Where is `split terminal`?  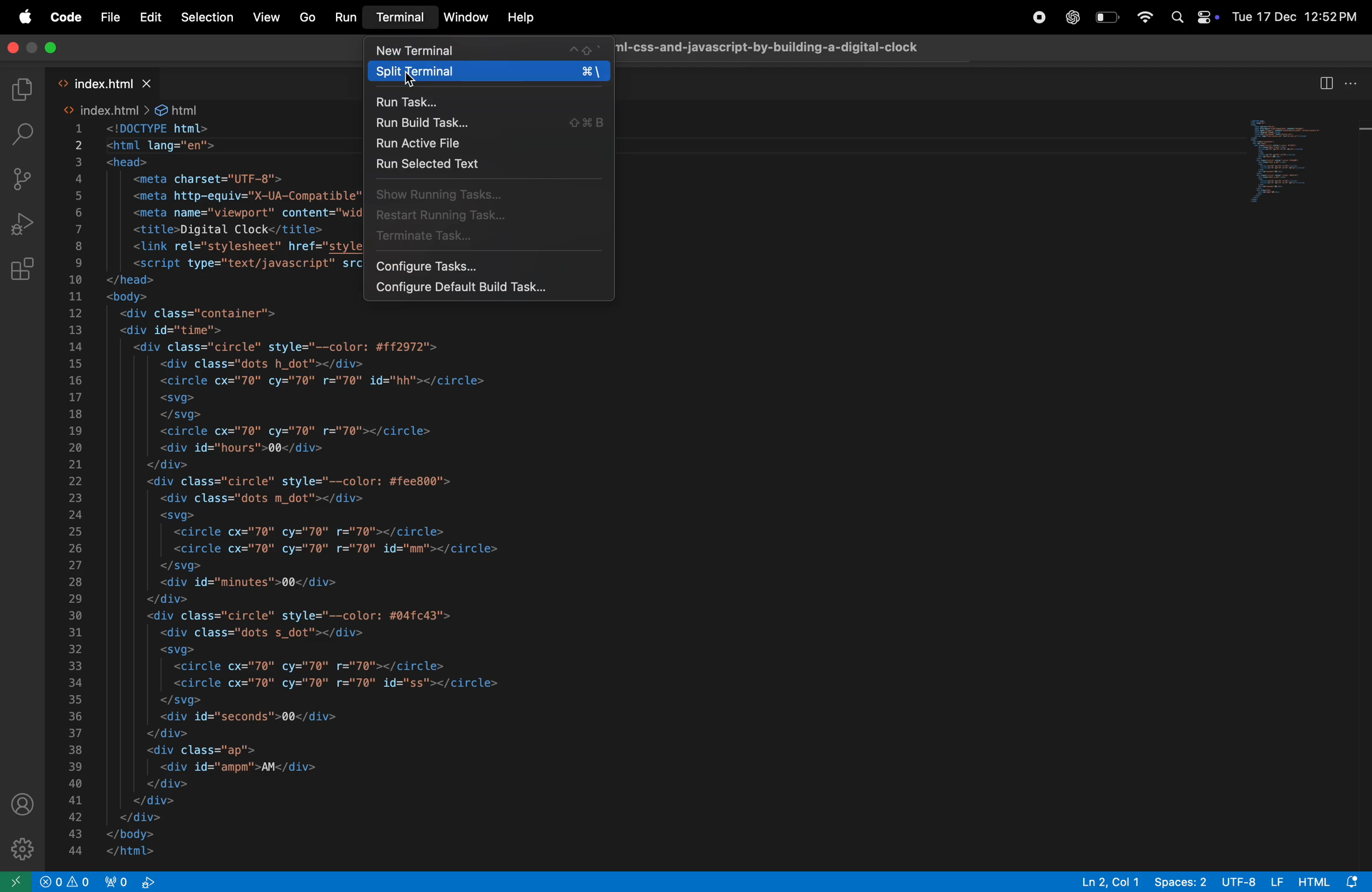
split terminal is located at coordinates (487, 73).